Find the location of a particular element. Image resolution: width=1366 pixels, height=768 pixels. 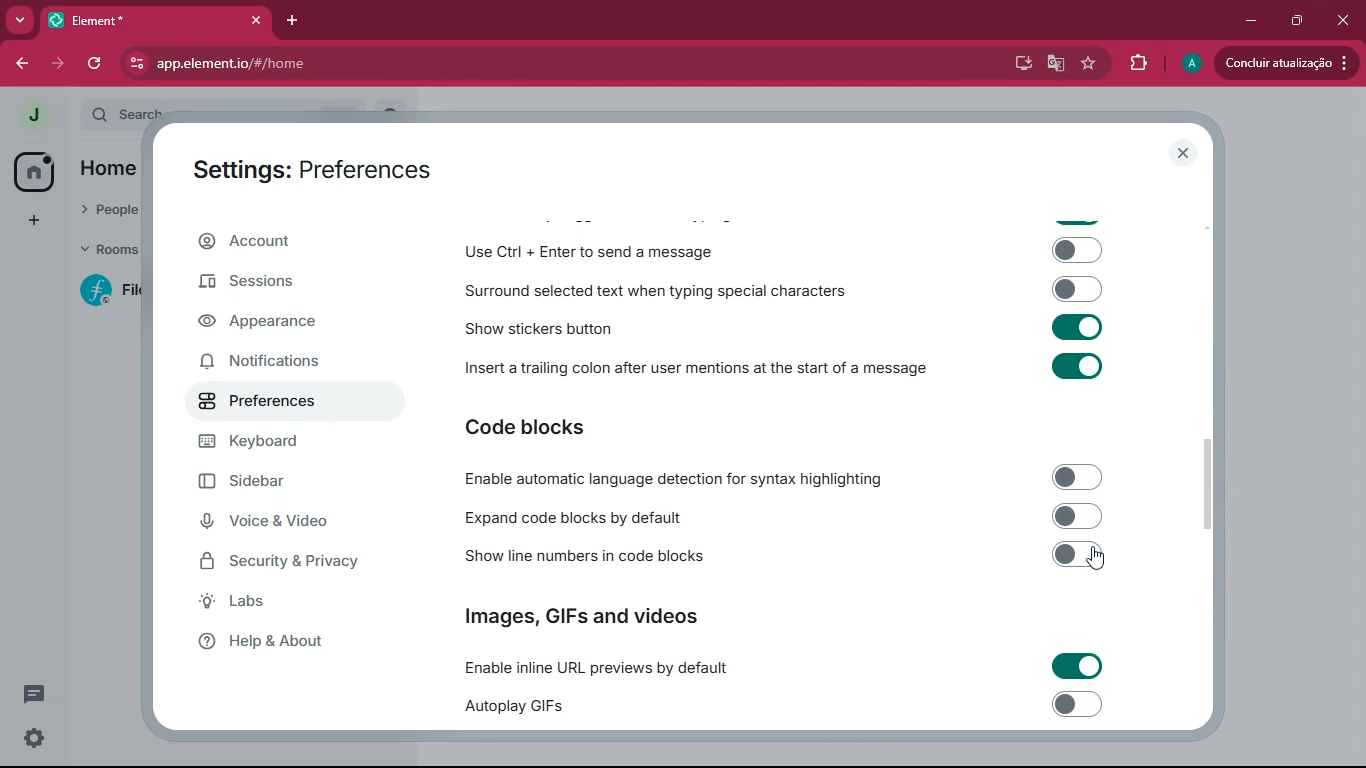

search ctrl k is located at coordinates (234, 115).